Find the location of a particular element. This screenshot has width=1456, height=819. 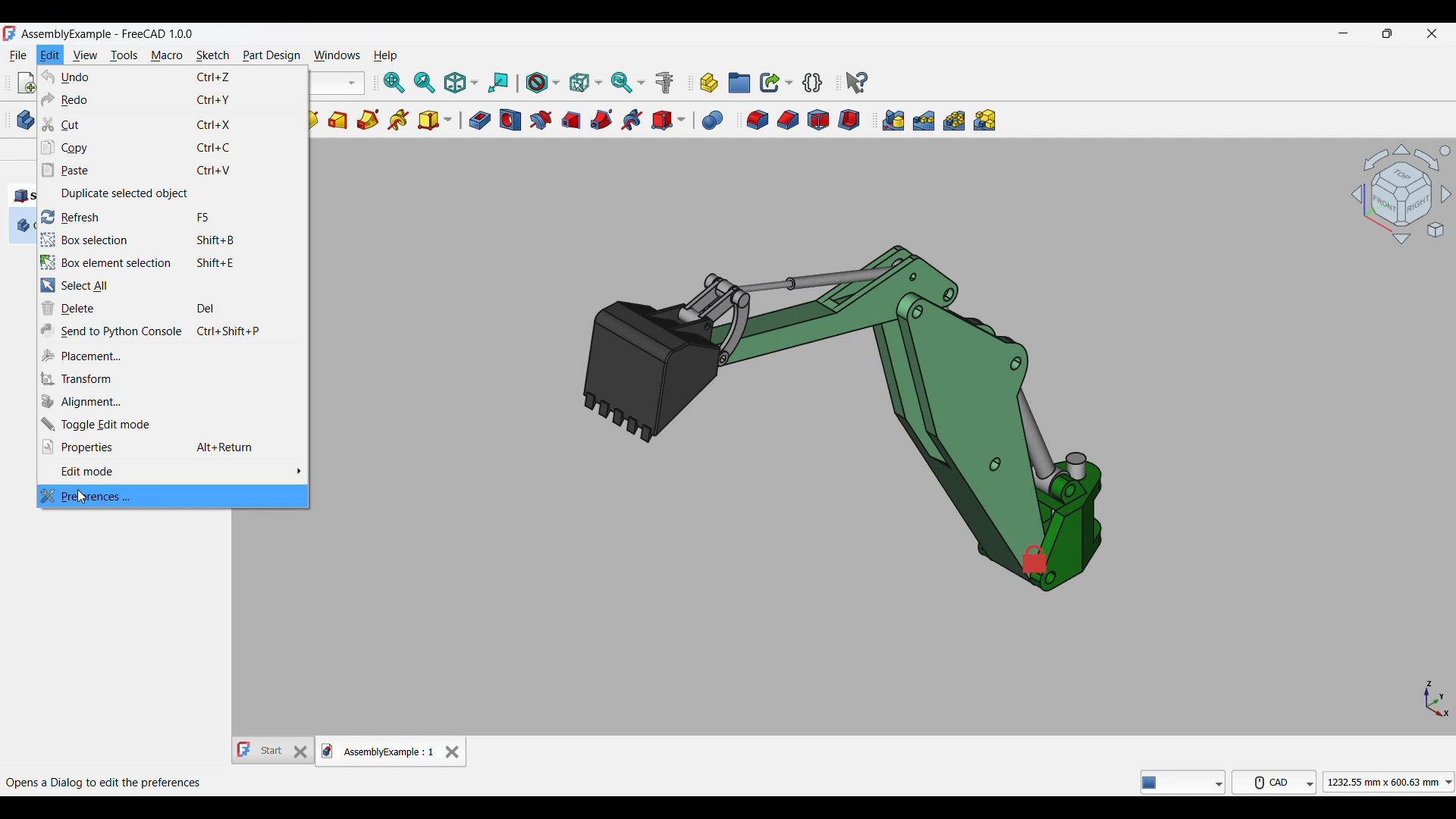

Current image on canvas is located at coordinates (839, 406).